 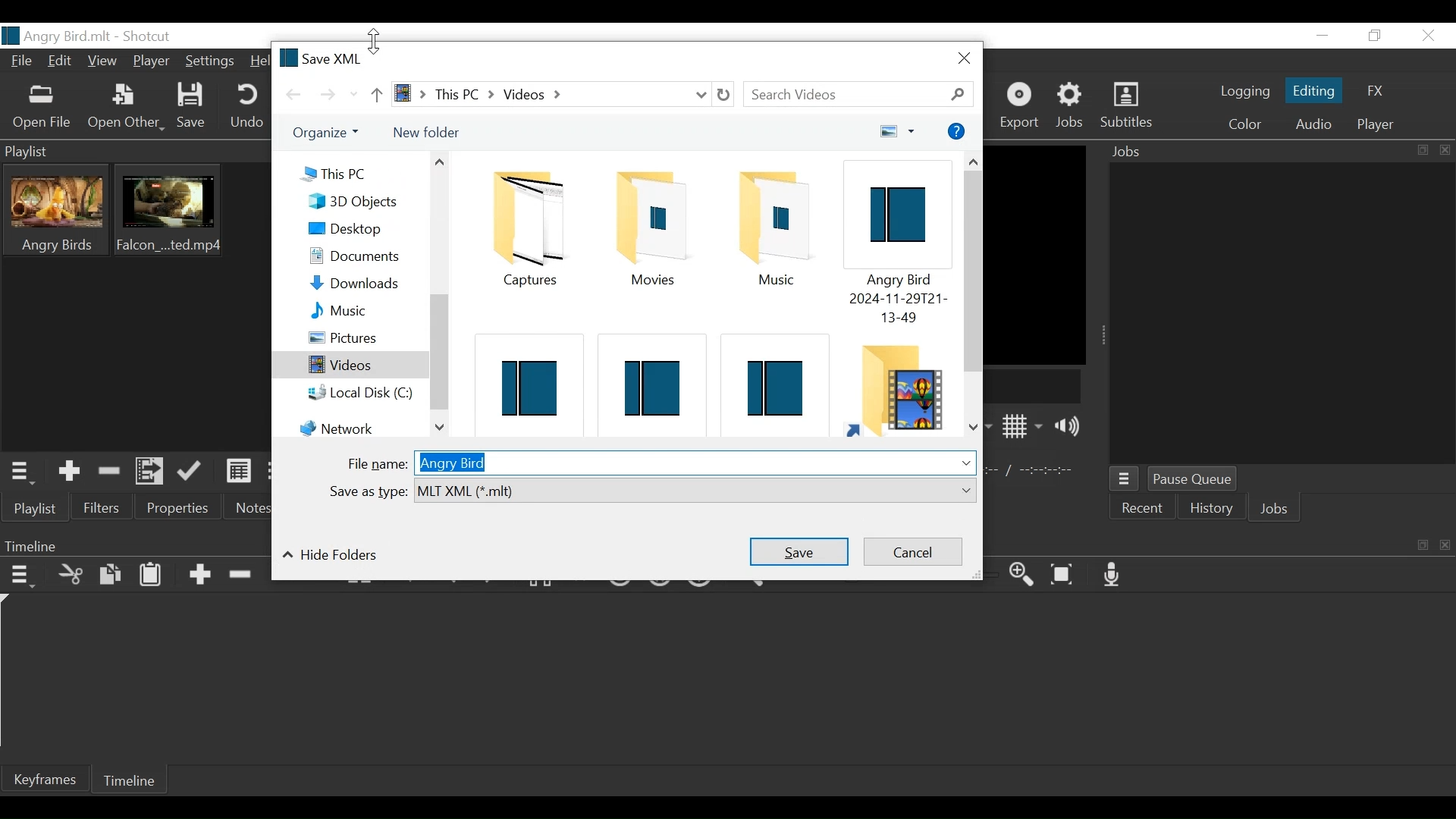 What do you see at coordinates (37, 510) in the screenshot?
I see `Playlist` at bounding box center [37, 510].